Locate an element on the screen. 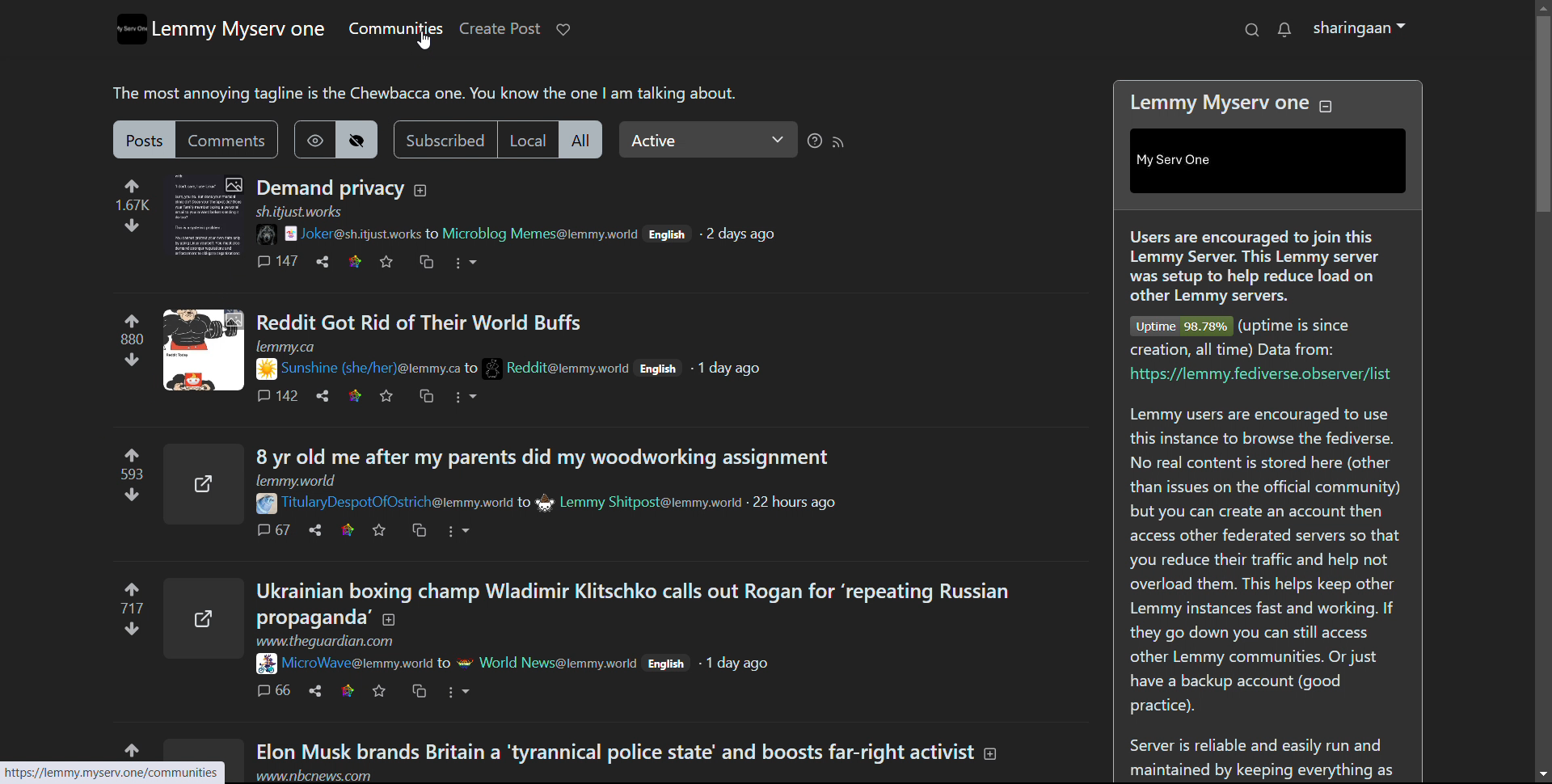 This screenshot has width=1552, height=784. 67 comments is located at coordinates (272, 529).